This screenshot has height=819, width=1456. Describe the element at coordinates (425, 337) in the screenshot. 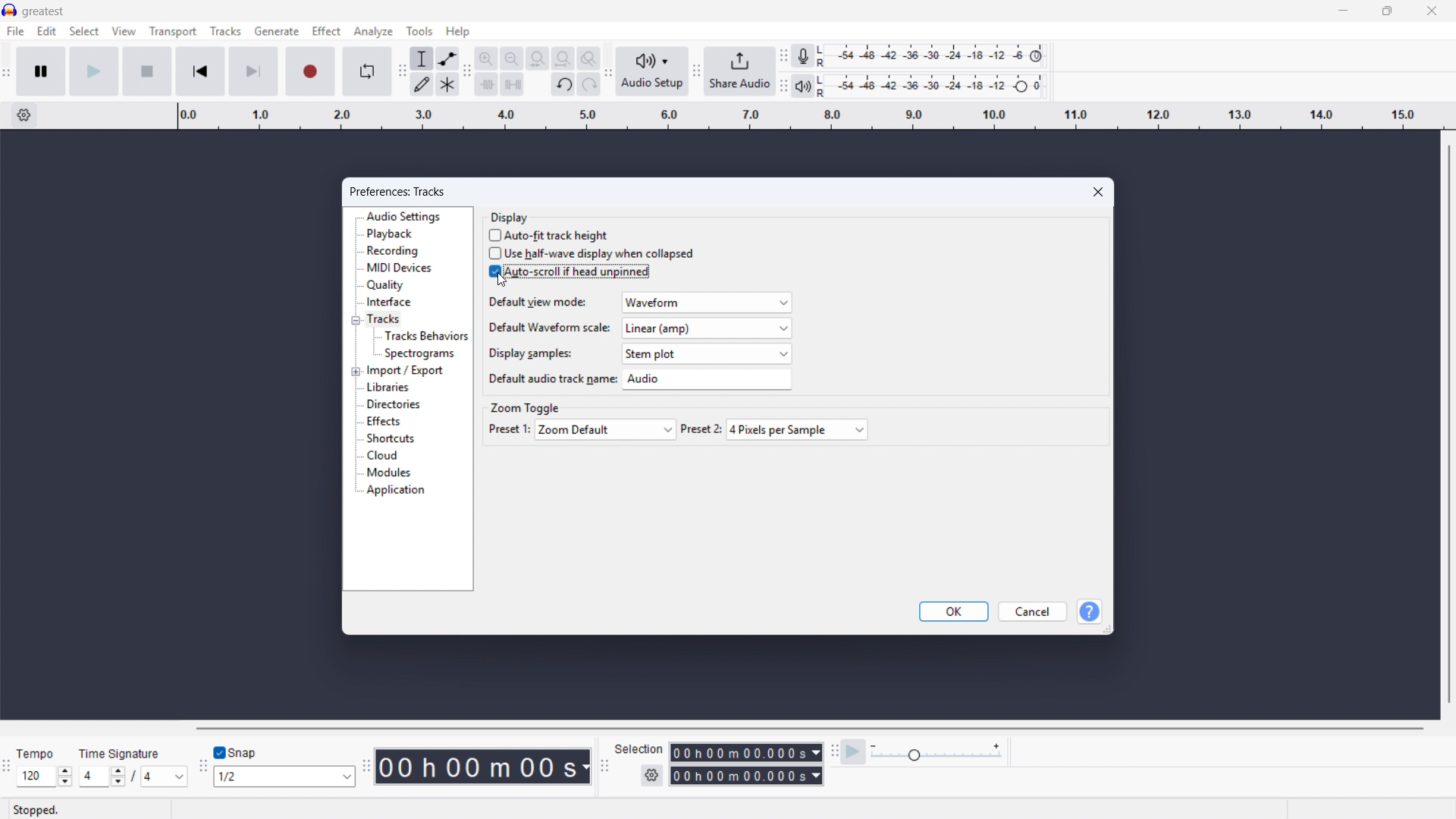

I see `Tracks behaviours ` at that location.